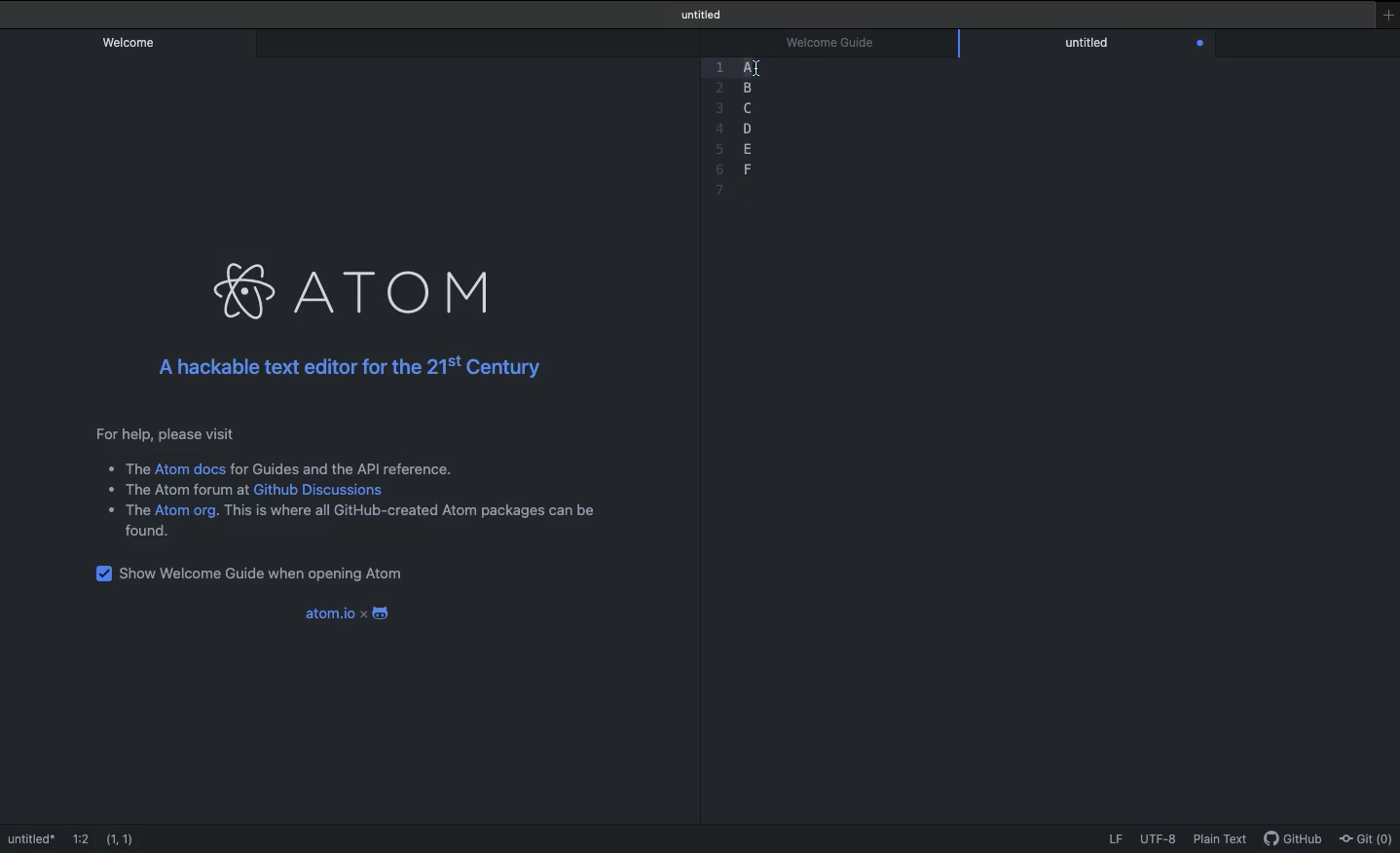  What do you see at coordinates (748, 86) in the screenshot?
I see `b` at bounding box center [748, 86].